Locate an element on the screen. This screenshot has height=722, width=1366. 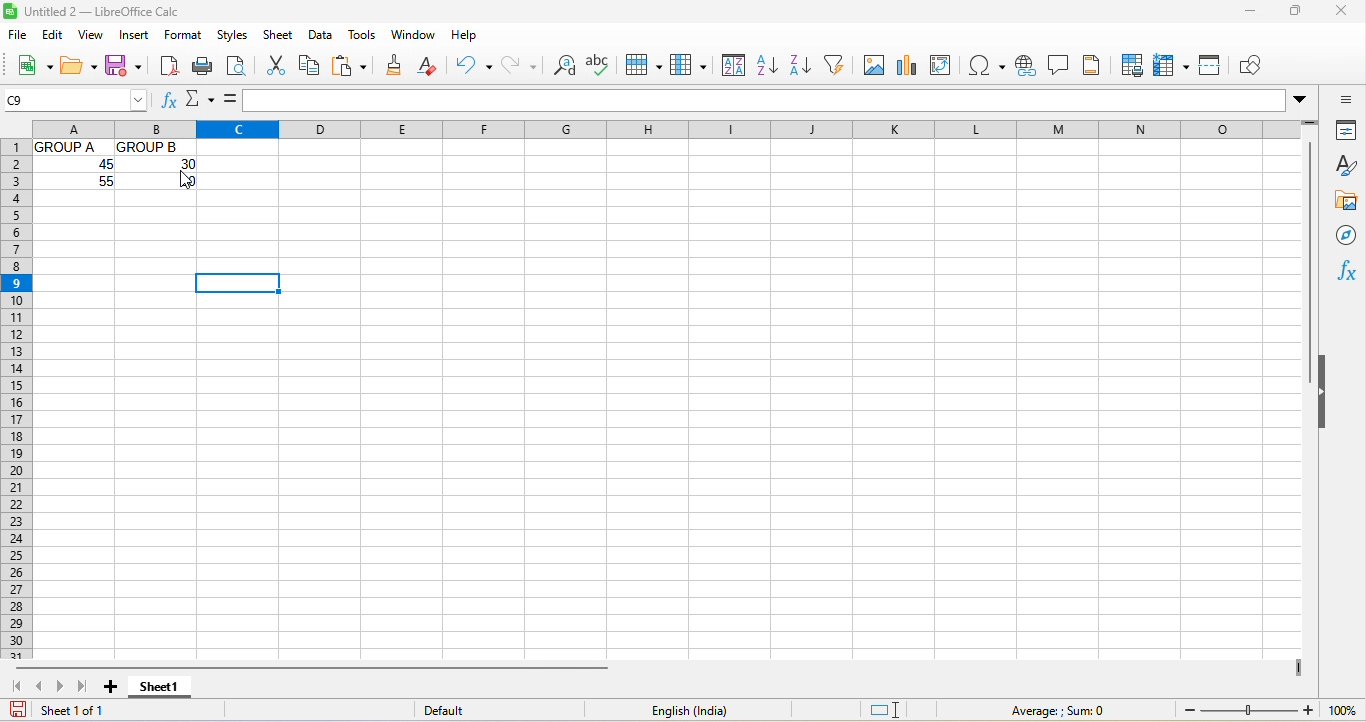
next sheet is located at coordinates (65, 690).